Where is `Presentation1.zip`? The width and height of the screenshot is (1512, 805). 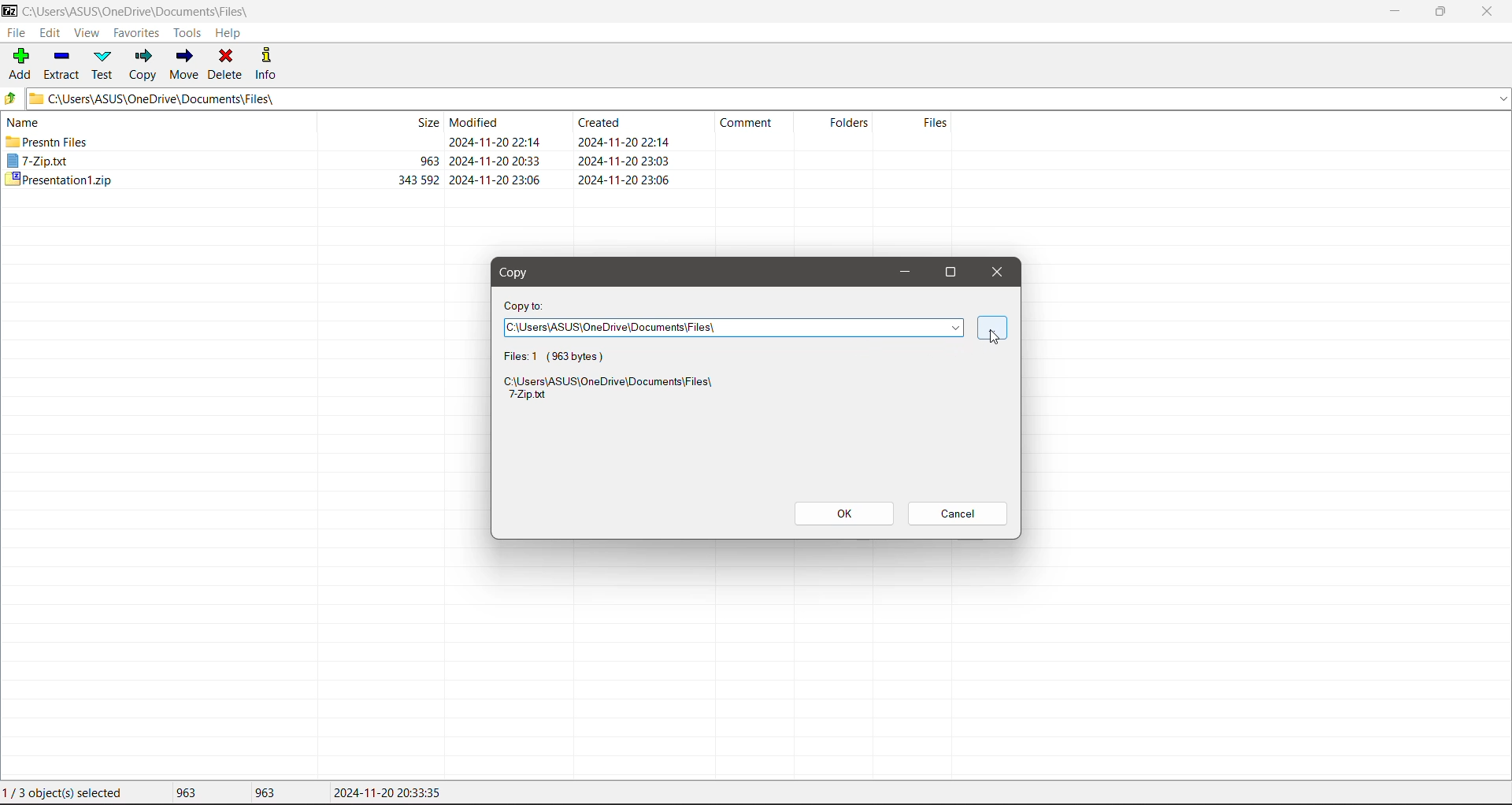
Presentation1.zip is located at coordinates (57, 180).